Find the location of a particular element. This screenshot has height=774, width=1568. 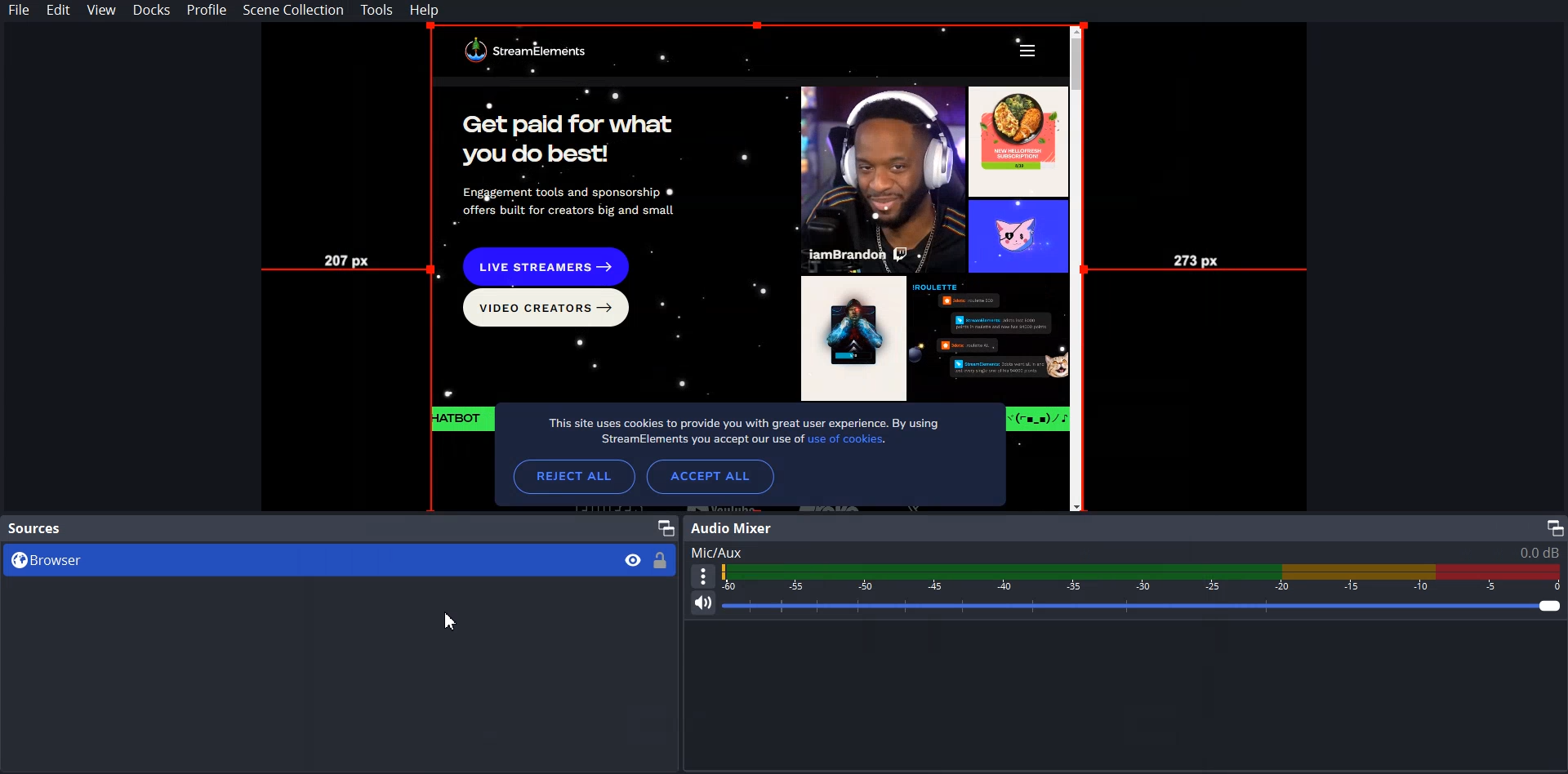

More is located at coordinates (703, 576).